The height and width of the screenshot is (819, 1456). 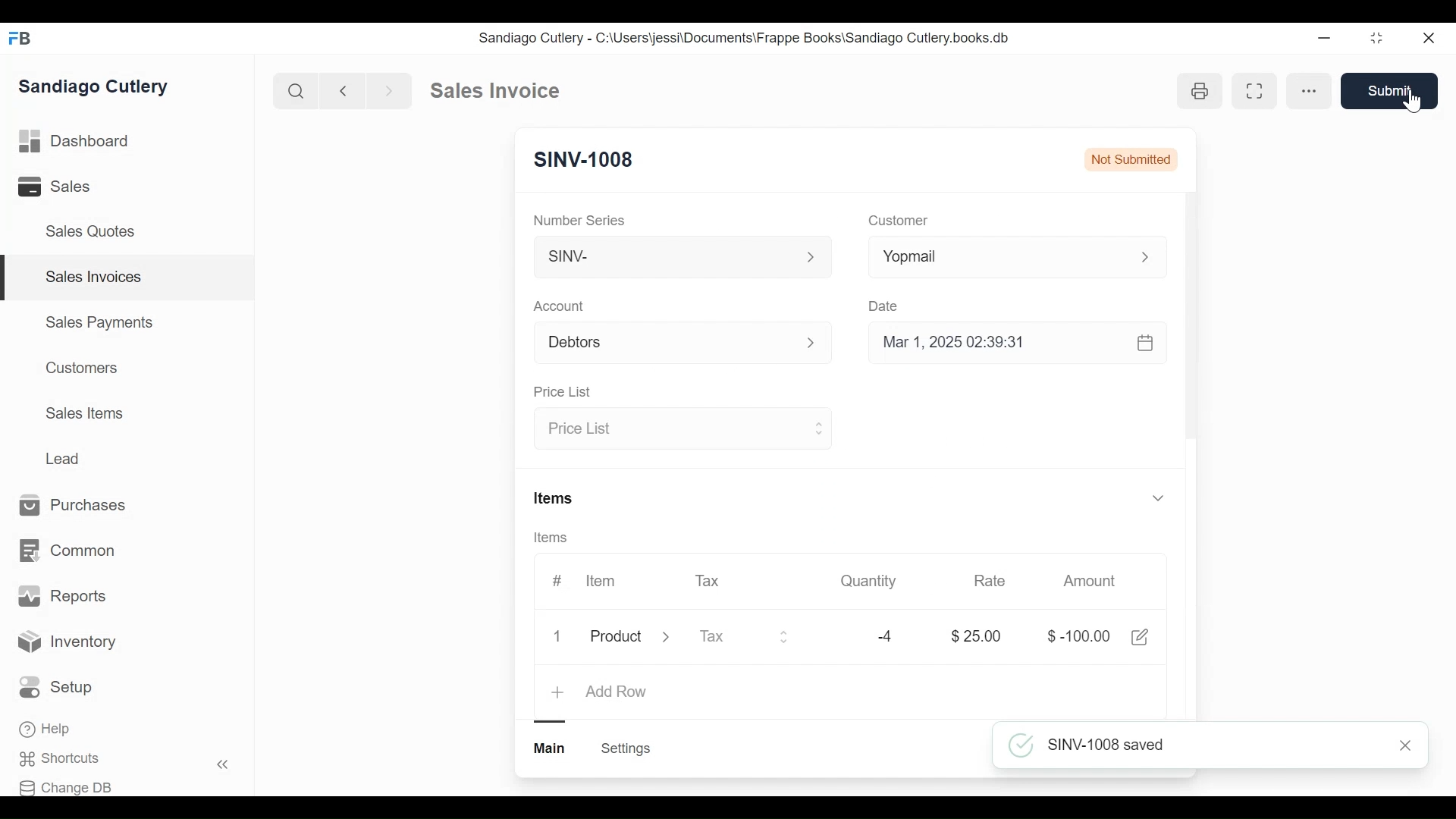 I want to click on  Product , so click(x=628, y=638).